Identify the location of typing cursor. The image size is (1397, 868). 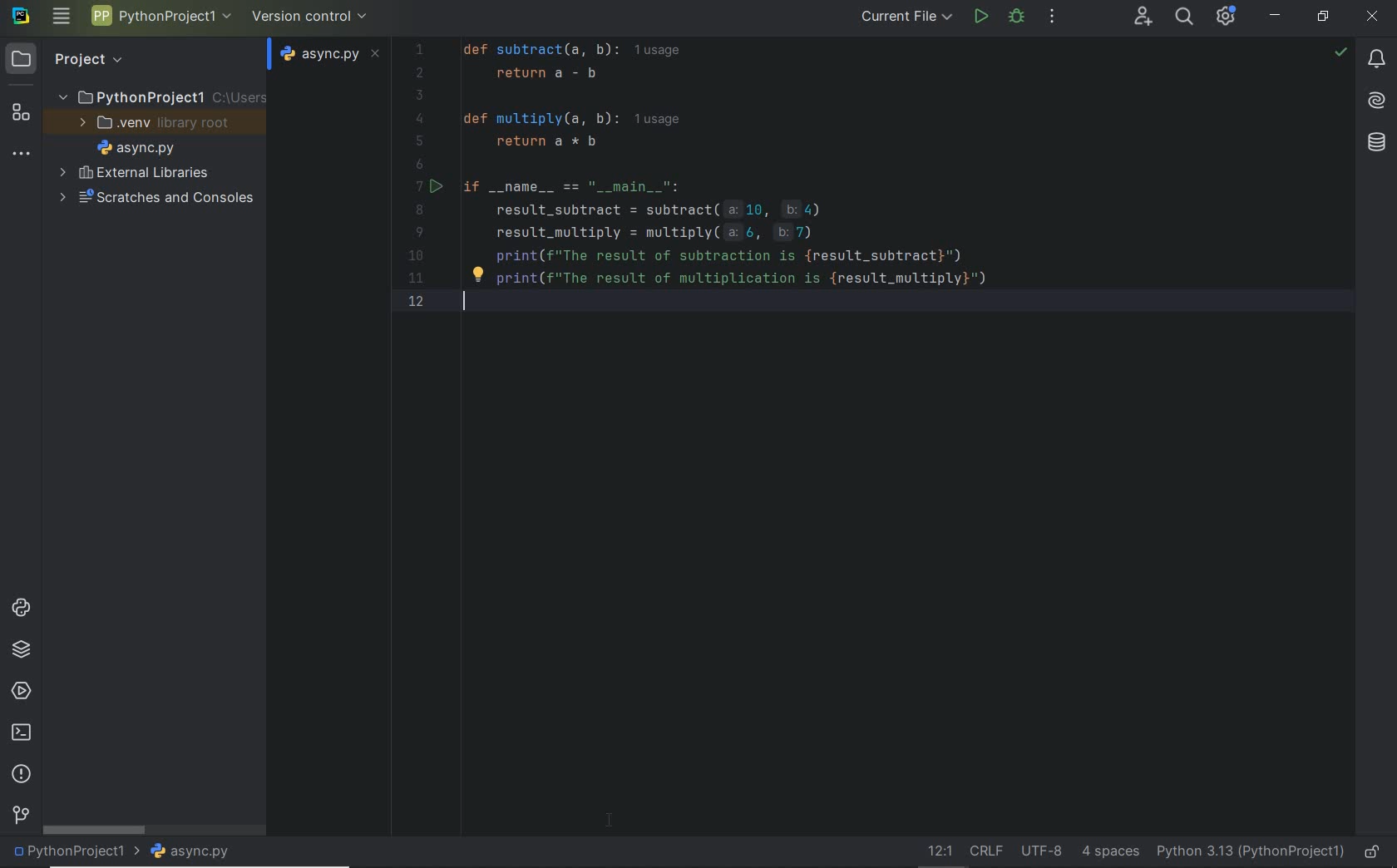
(466, 308).